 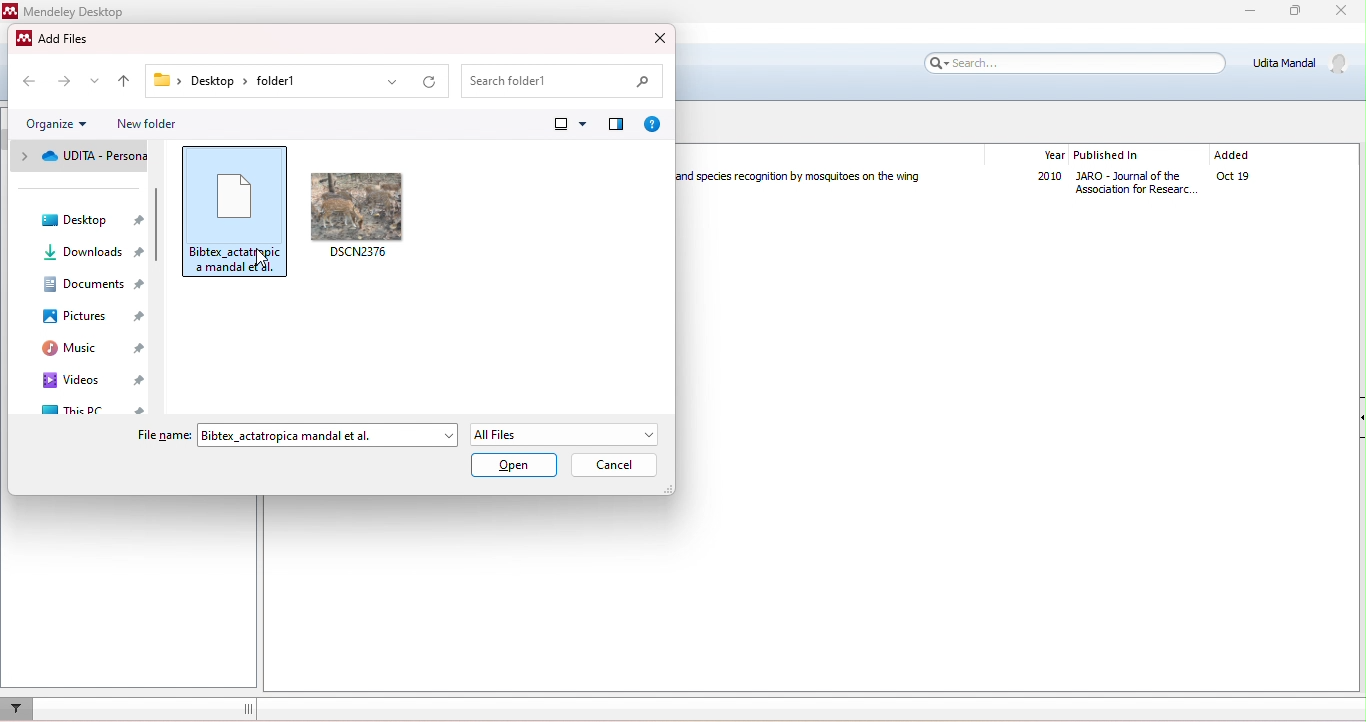 What do you see at coordinates (92, 383) in the screenshot?
I see `videos` at bounding box center [92, 383].